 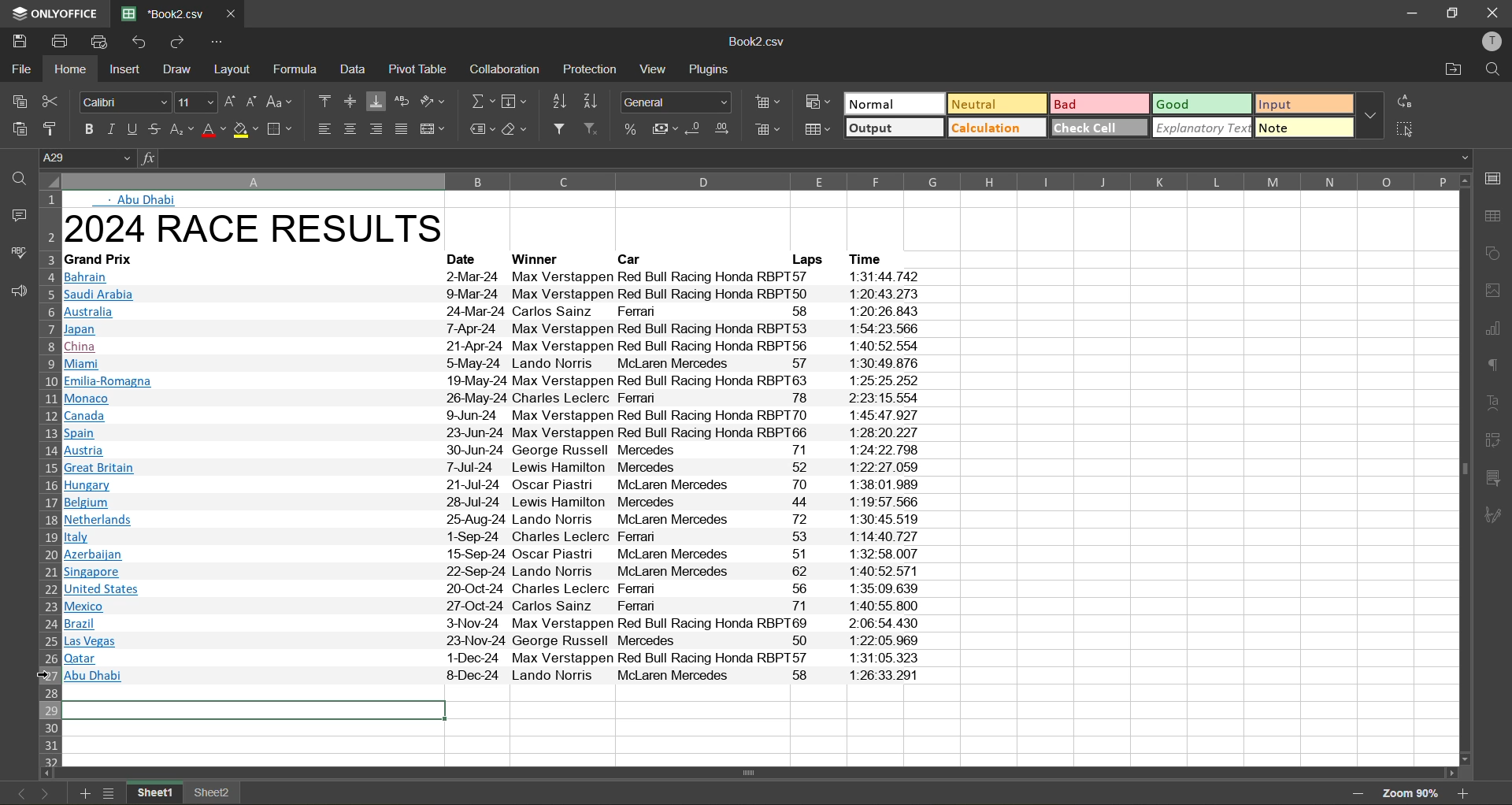 What do you see at coordinates (498, 537) in the screenshot?
I see `text info` at bounding box center [498, 537].